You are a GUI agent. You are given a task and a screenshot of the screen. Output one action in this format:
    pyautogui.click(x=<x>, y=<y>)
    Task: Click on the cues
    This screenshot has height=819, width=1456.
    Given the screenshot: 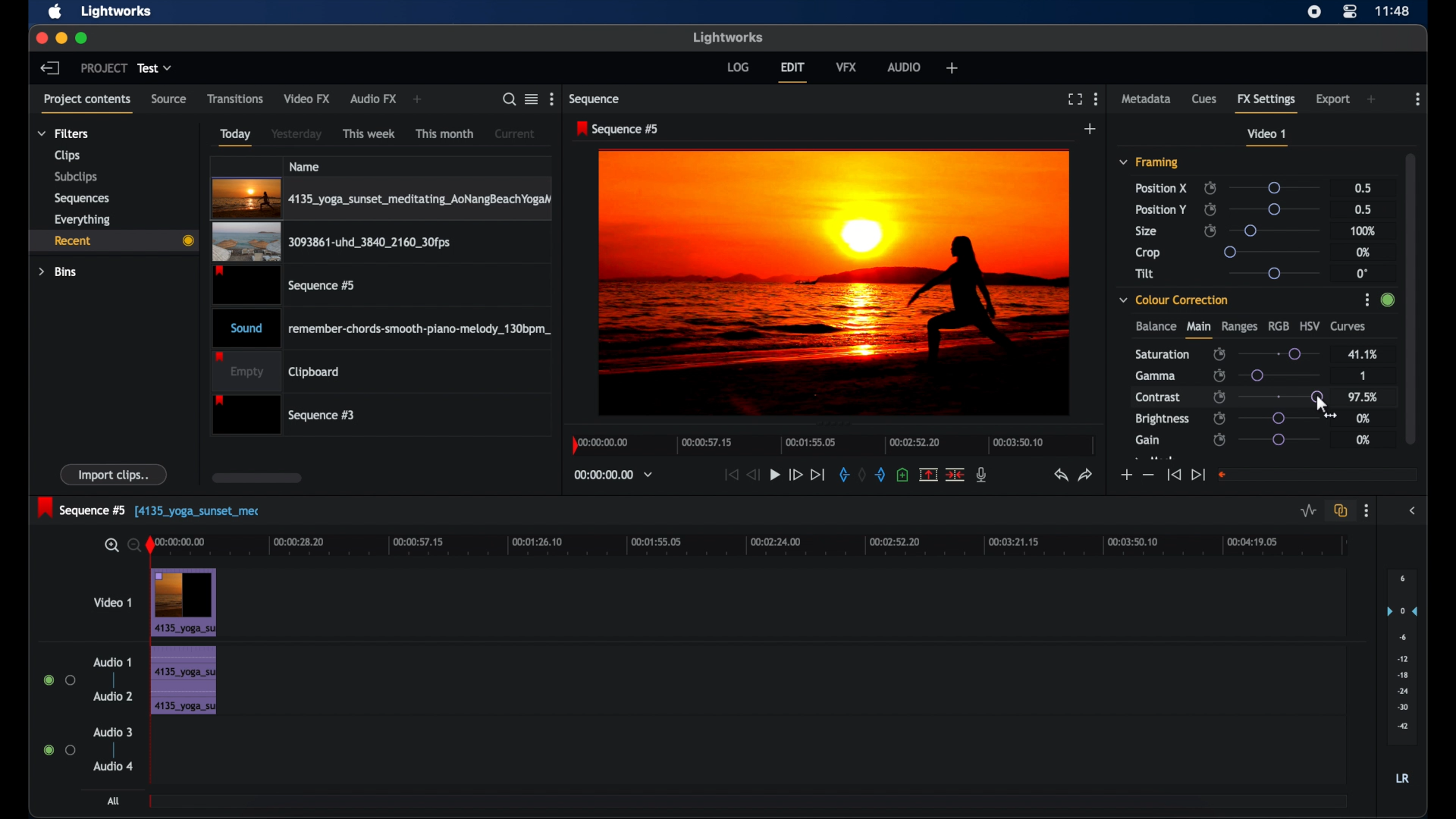 What is the action you would take?
    pyautogui.click(x=1205, y=99)
    